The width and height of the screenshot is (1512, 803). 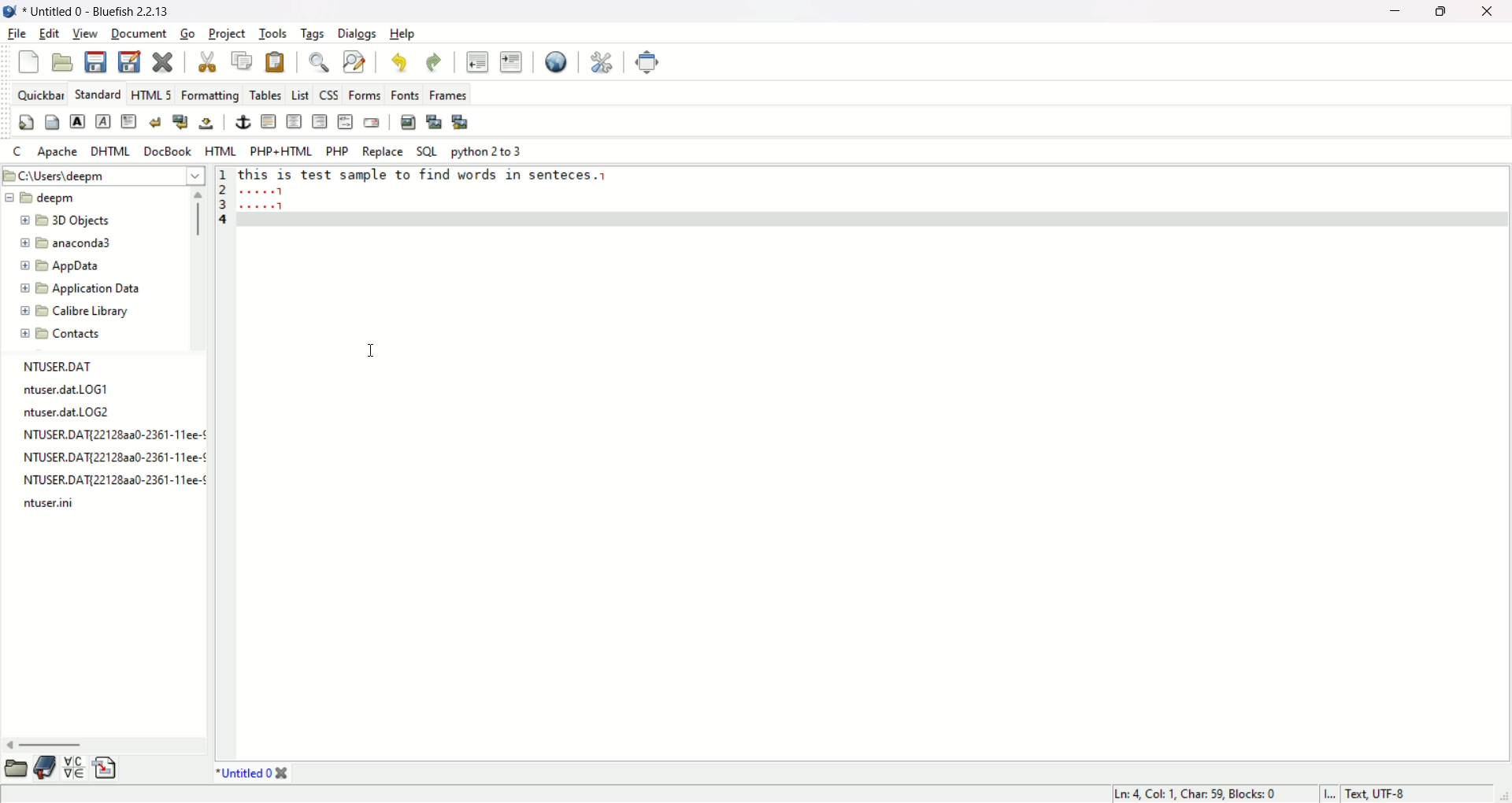 What do you see at coordinates (398, 61) in the screenshot?
I see `undo` at bounding box center [398, 61].